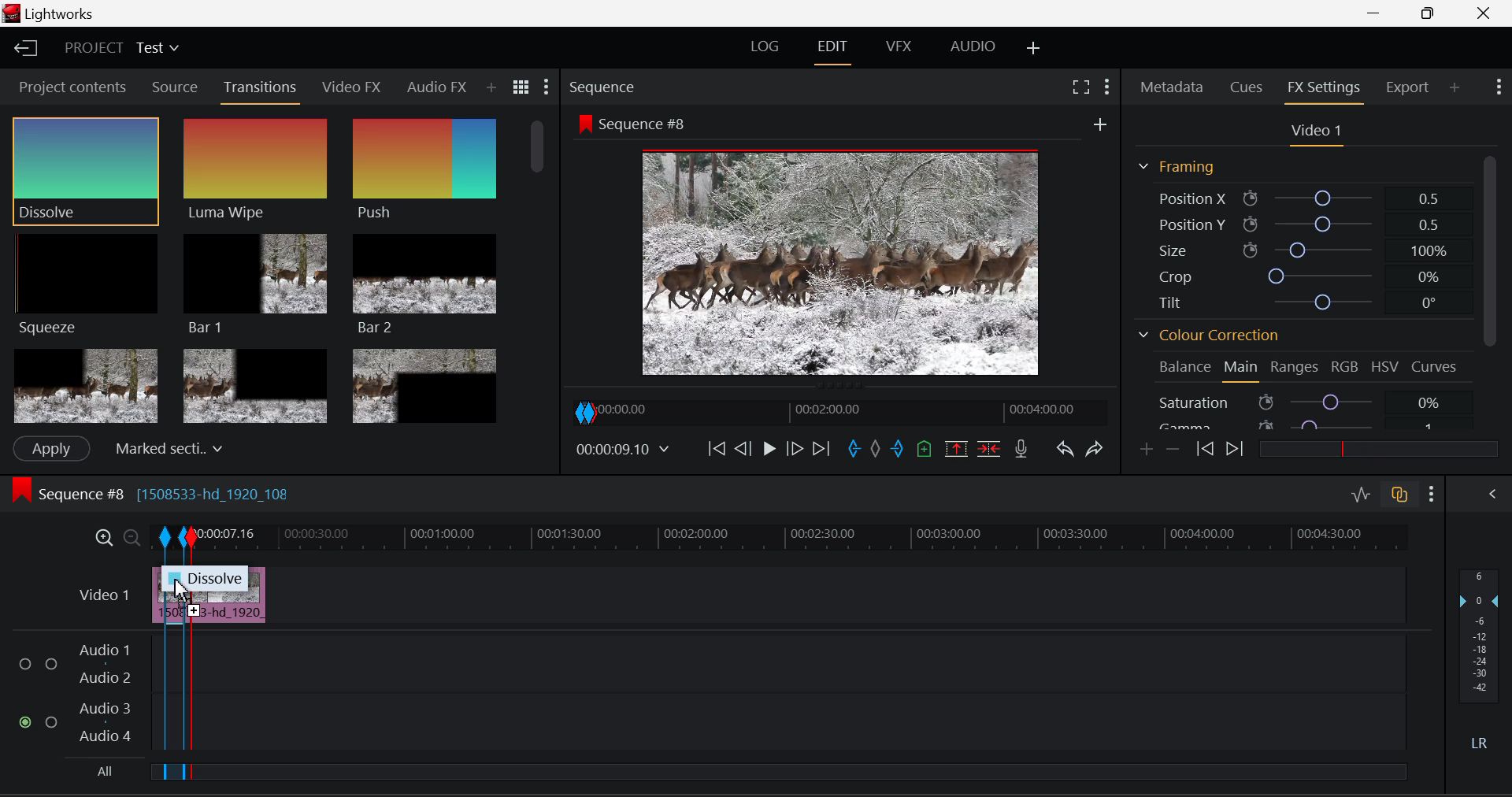 This screenshot has width=1512, height=797. I want to click on FX Settings Open, so click(1327, 89).